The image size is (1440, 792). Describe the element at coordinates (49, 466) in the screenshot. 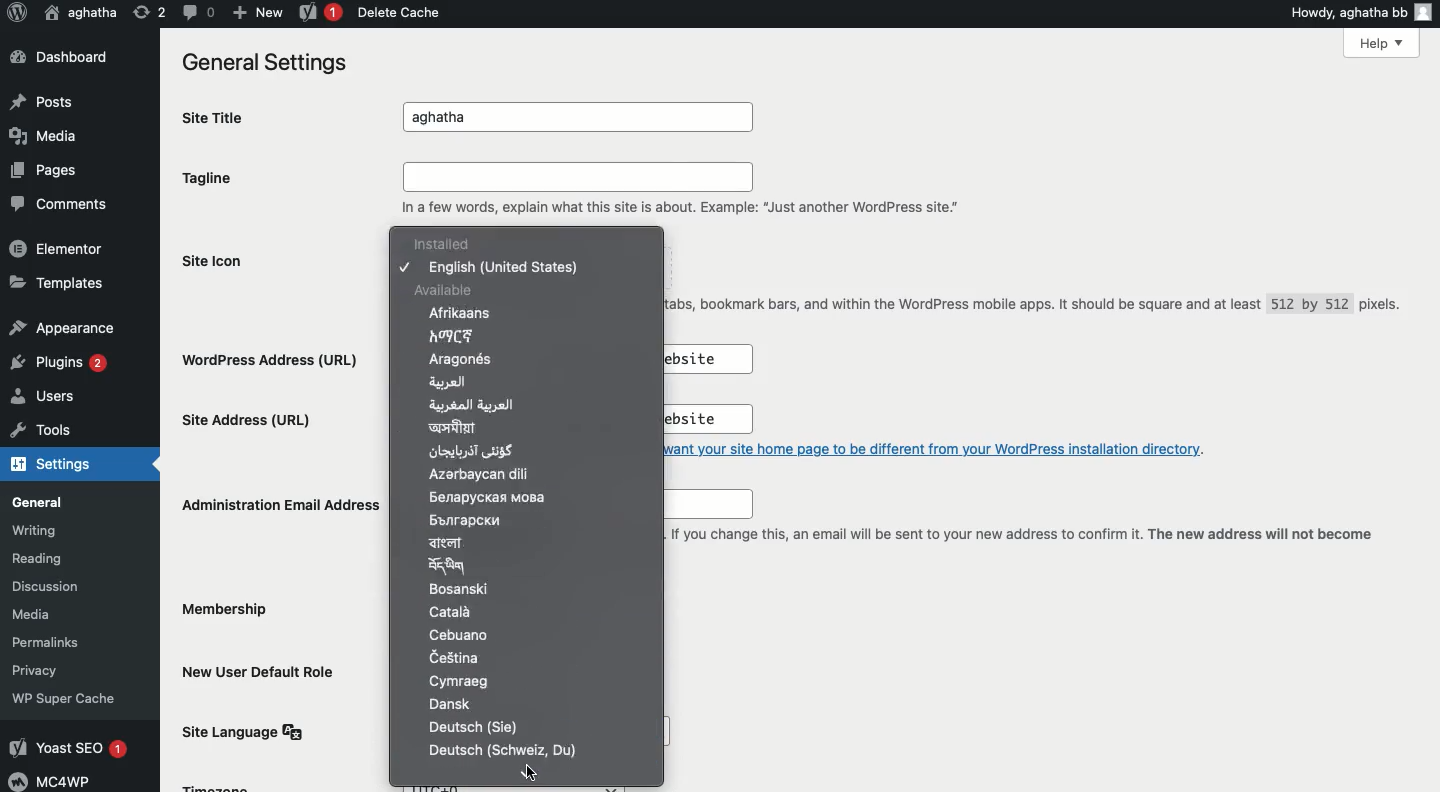

I see `Settings` at that location.